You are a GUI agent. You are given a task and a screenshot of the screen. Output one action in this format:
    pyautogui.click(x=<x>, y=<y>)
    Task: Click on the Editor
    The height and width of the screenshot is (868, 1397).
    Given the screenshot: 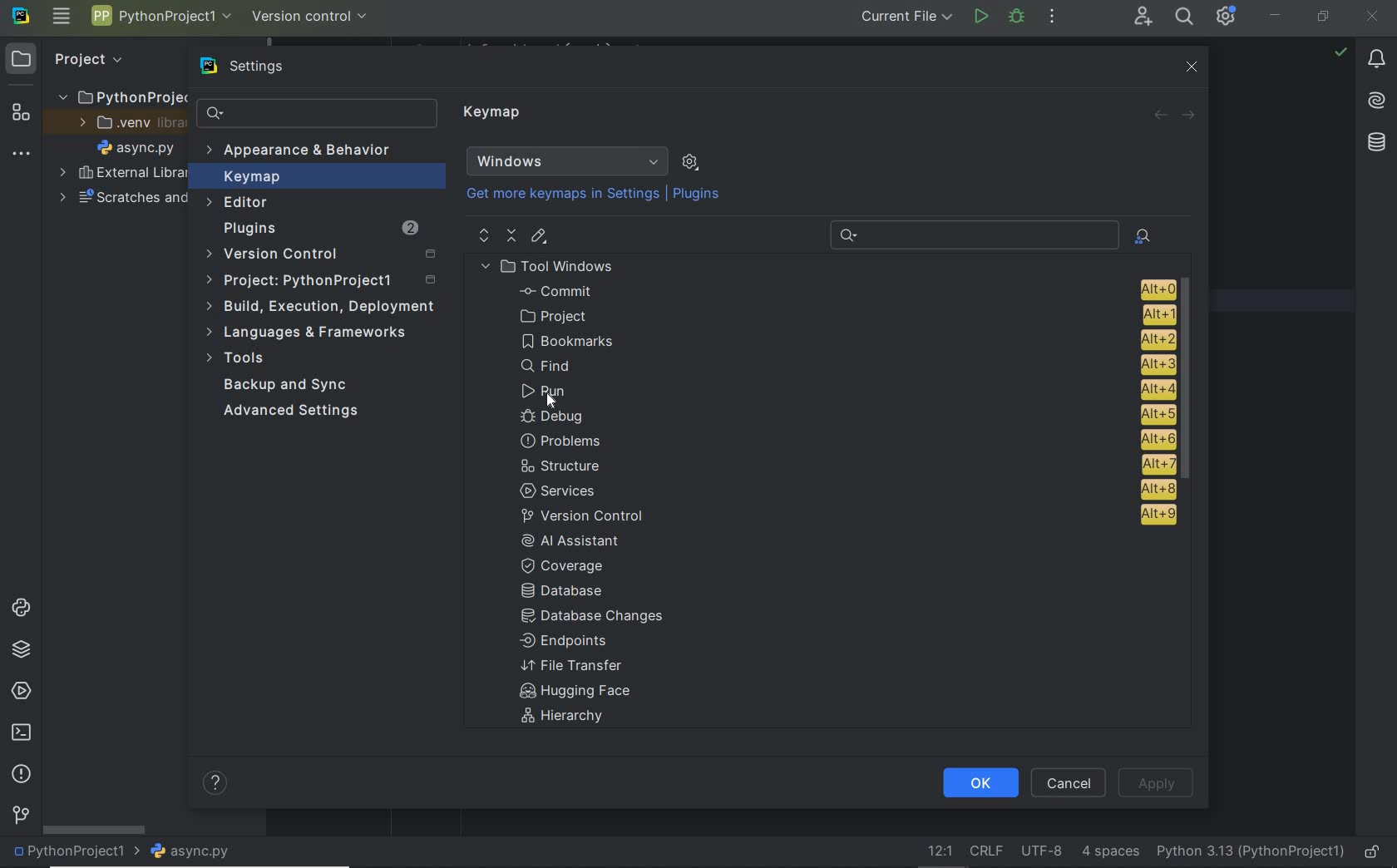 What is the action you would take?
    pyautogui.click(x=239, y=203)
    